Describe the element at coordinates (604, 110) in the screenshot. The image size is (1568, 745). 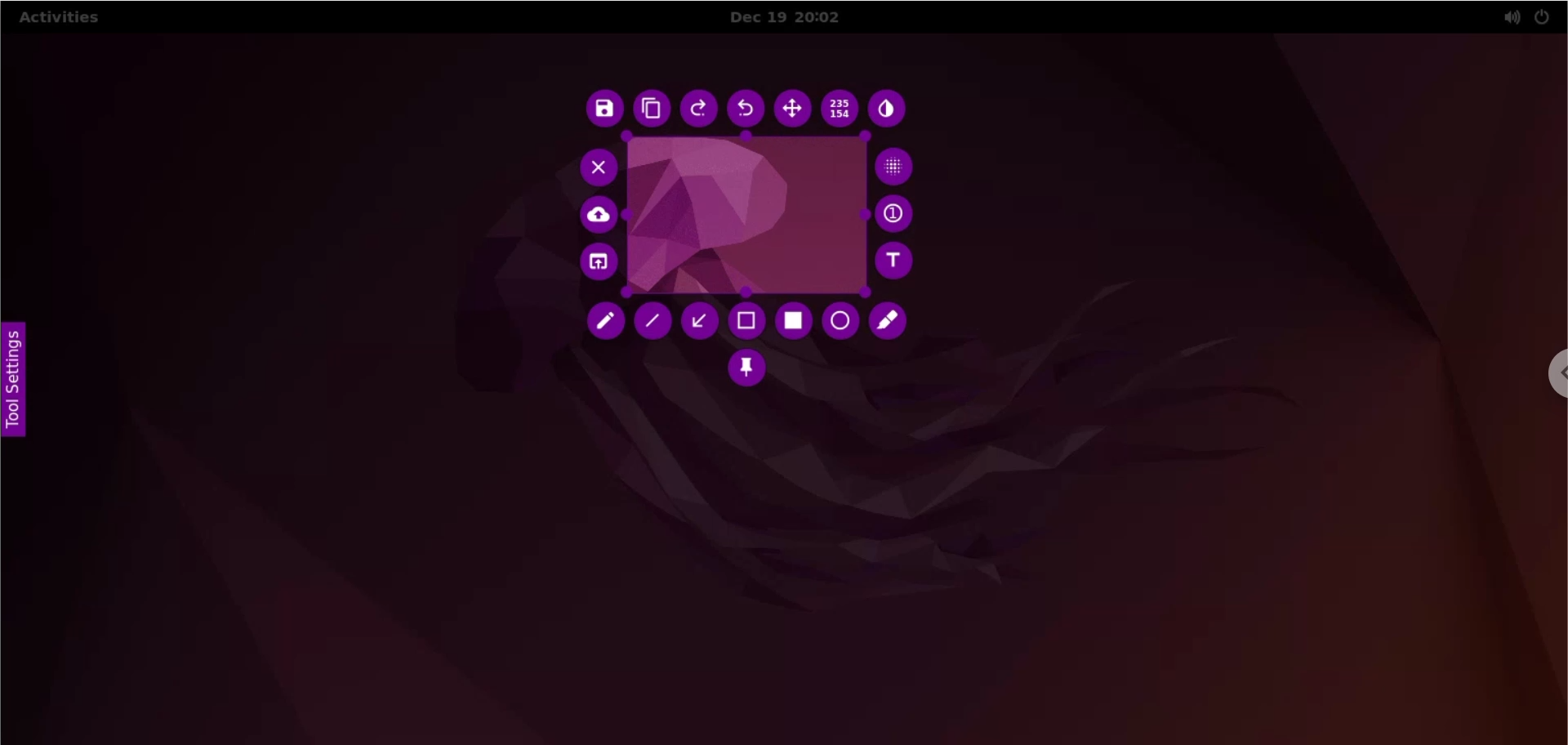
I see `save ` at that location.